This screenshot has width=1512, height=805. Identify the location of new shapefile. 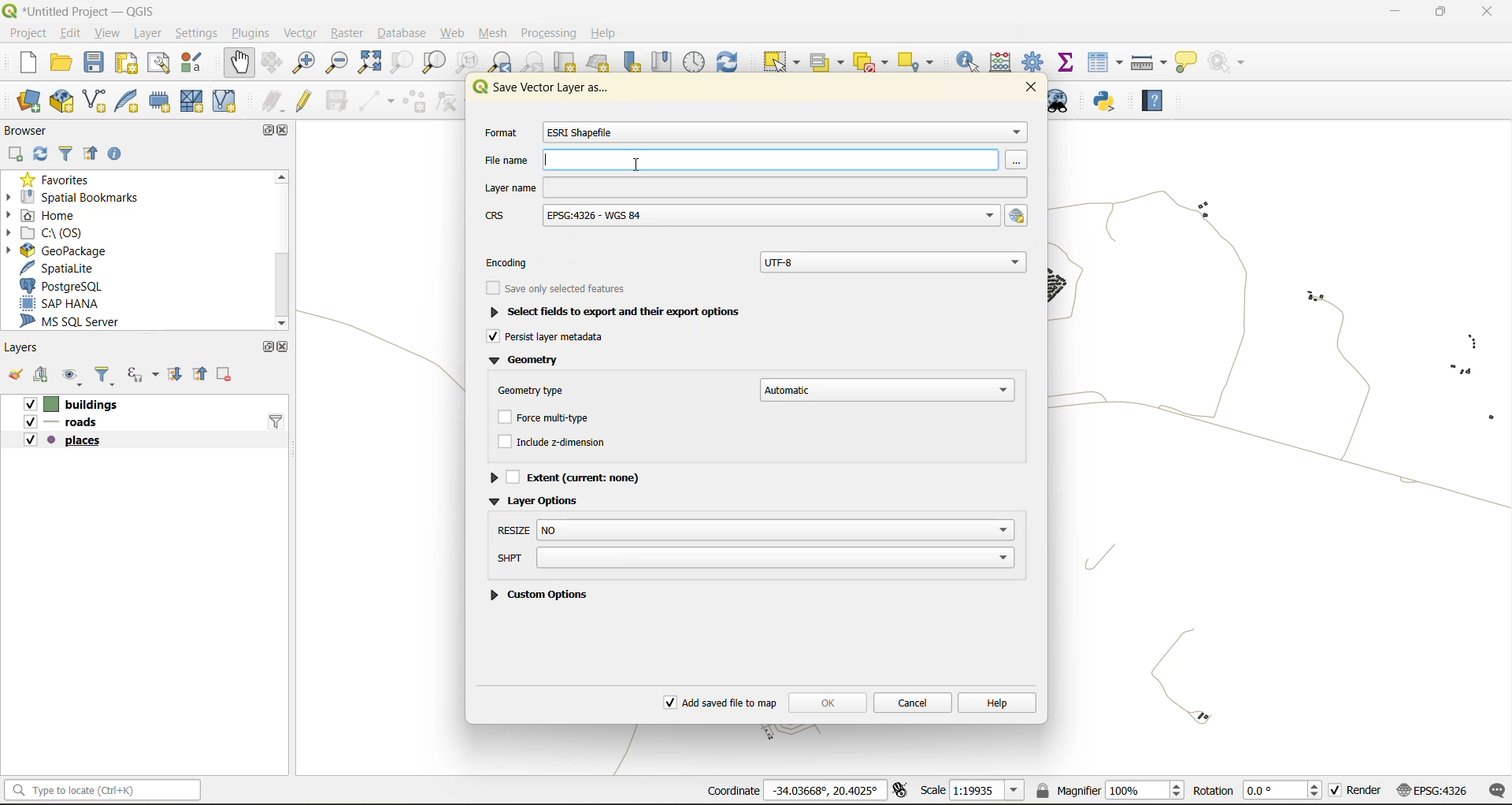
(95, 99).